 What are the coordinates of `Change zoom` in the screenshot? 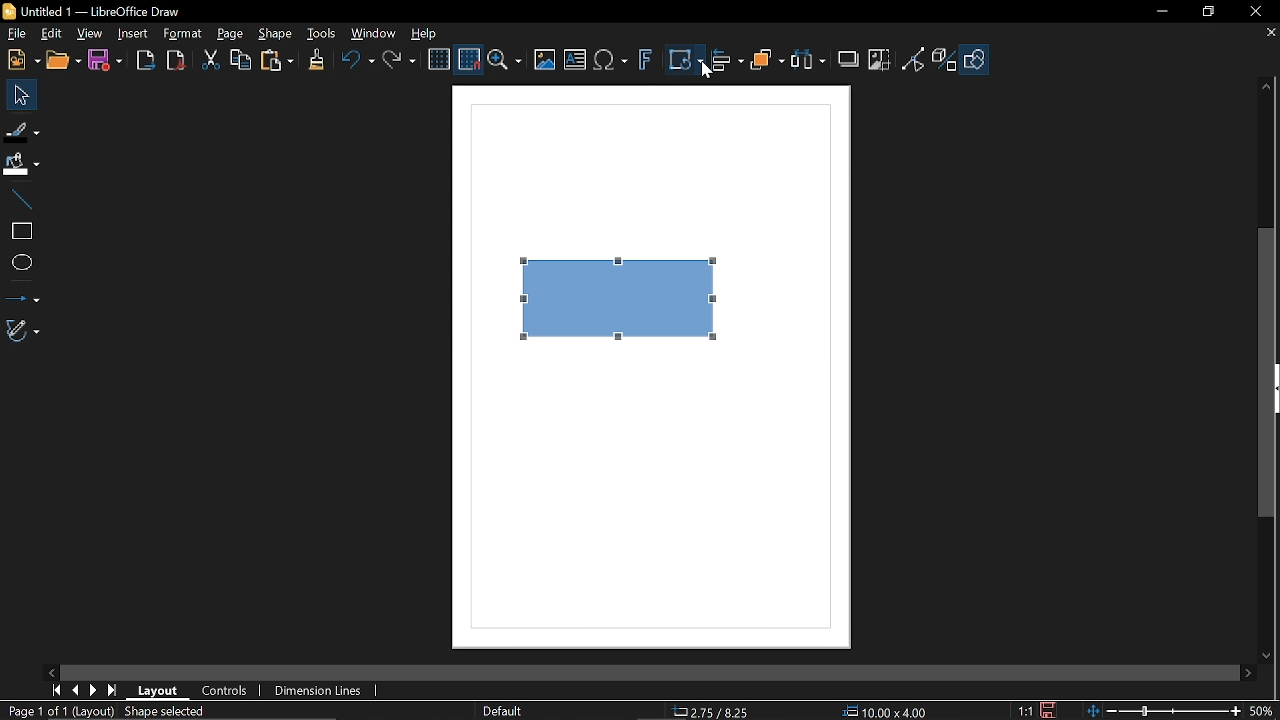 It's located at (1166, 712).